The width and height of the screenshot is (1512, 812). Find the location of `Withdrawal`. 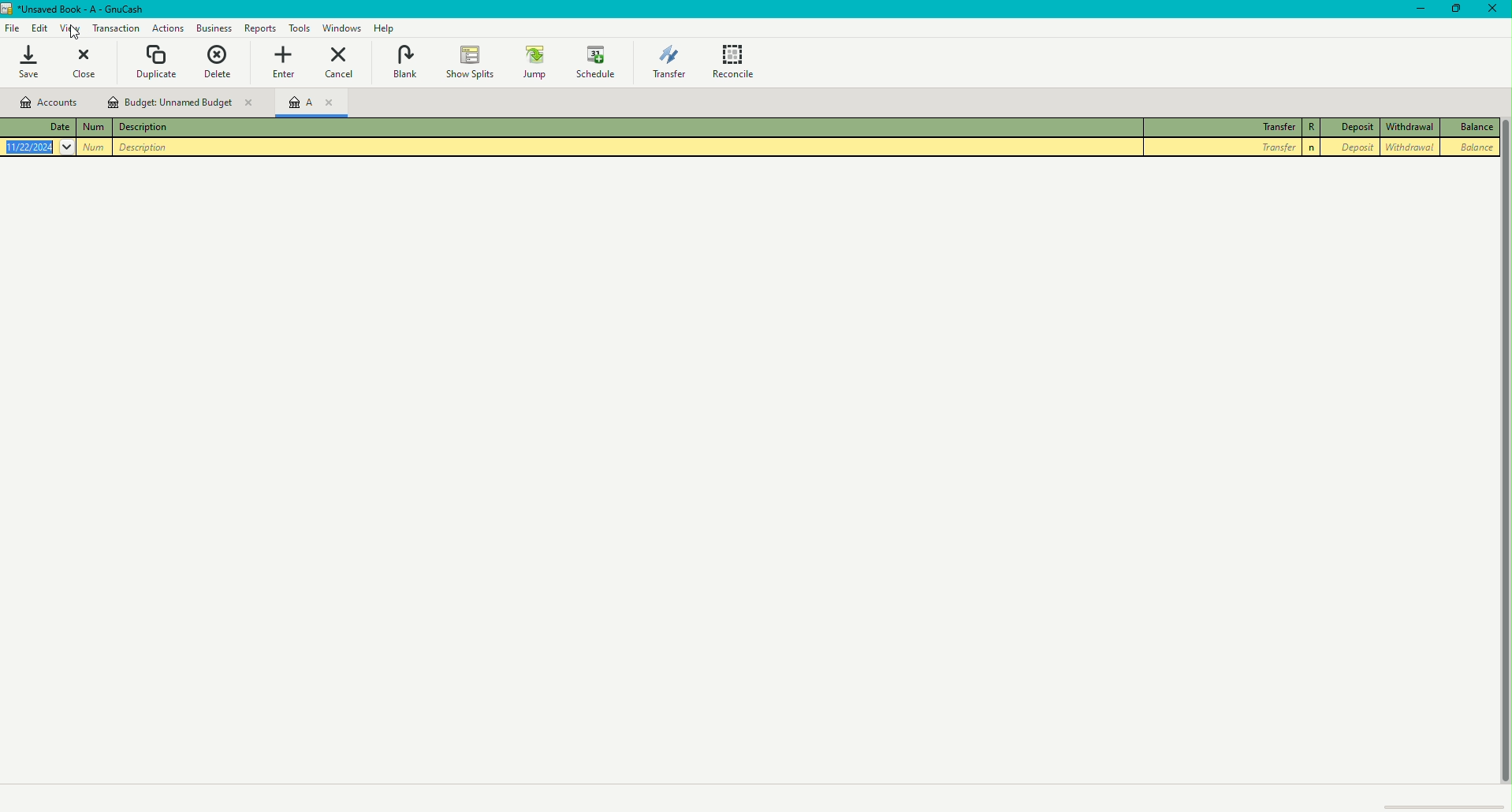

Withdrawal is located at coordinates (1409, 148).